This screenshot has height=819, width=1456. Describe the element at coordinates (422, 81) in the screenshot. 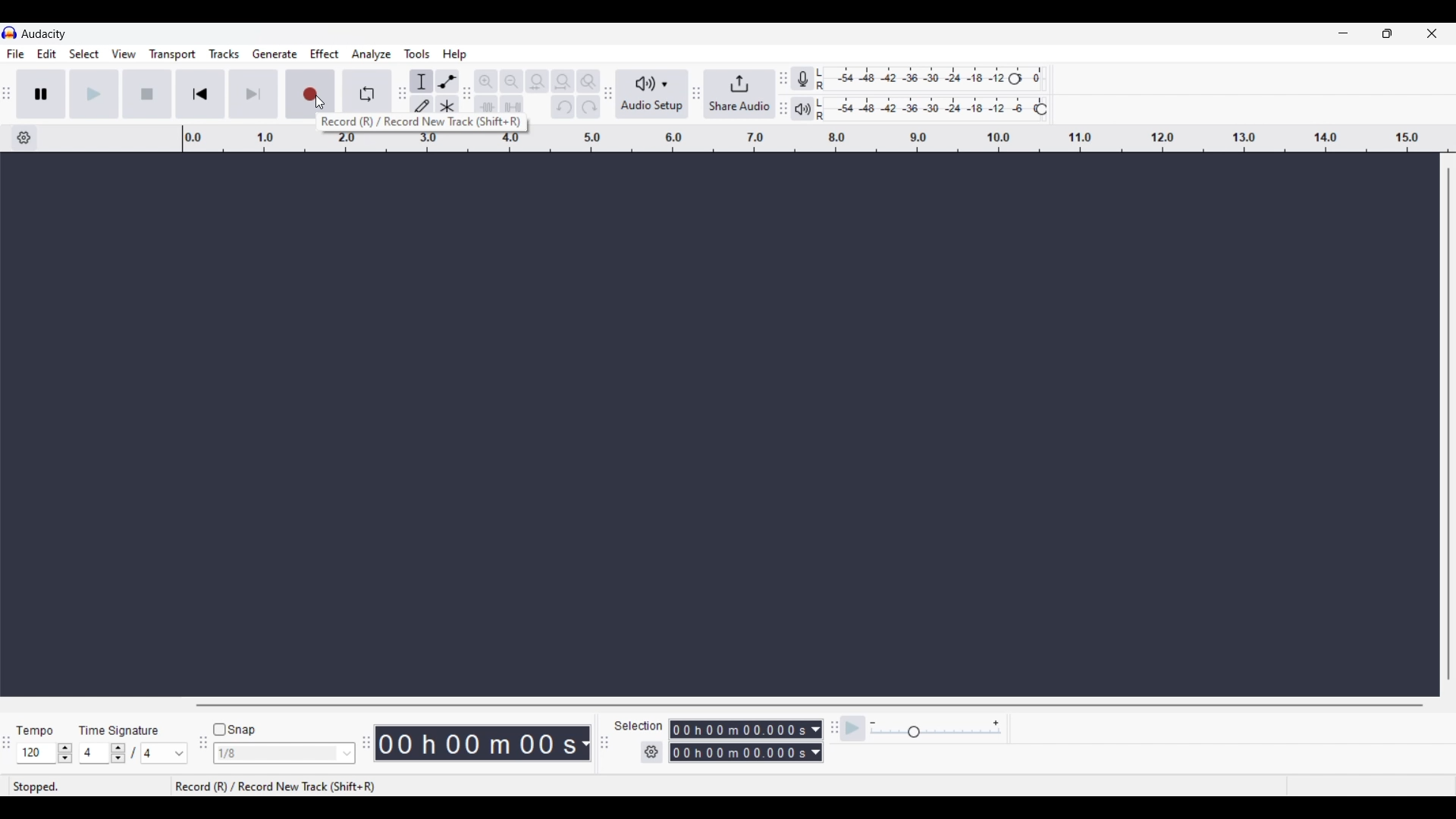

I see `Selection tool` at that location.